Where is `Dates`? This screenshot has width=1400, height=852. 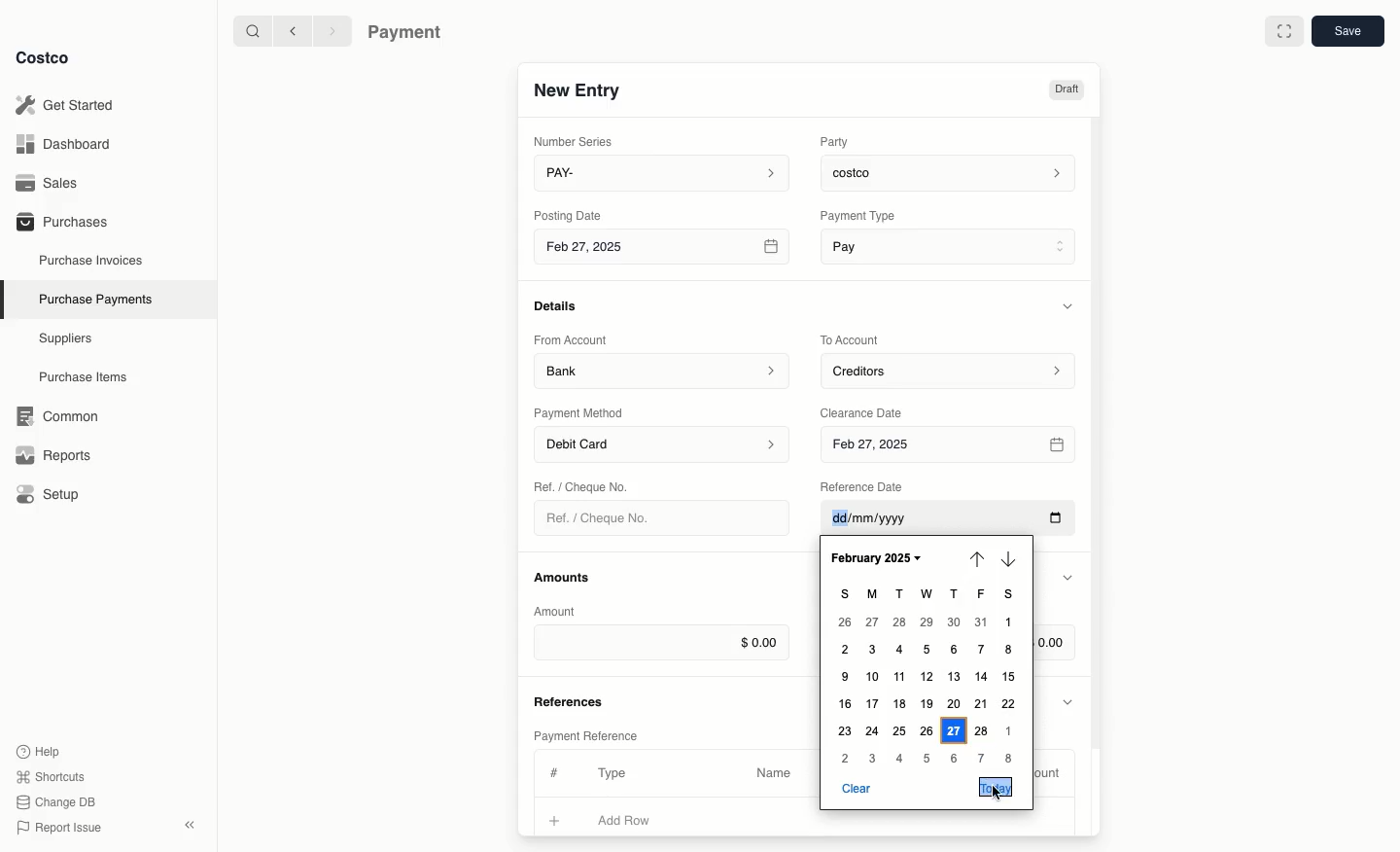 Dates is located at coordinates (927, 674).